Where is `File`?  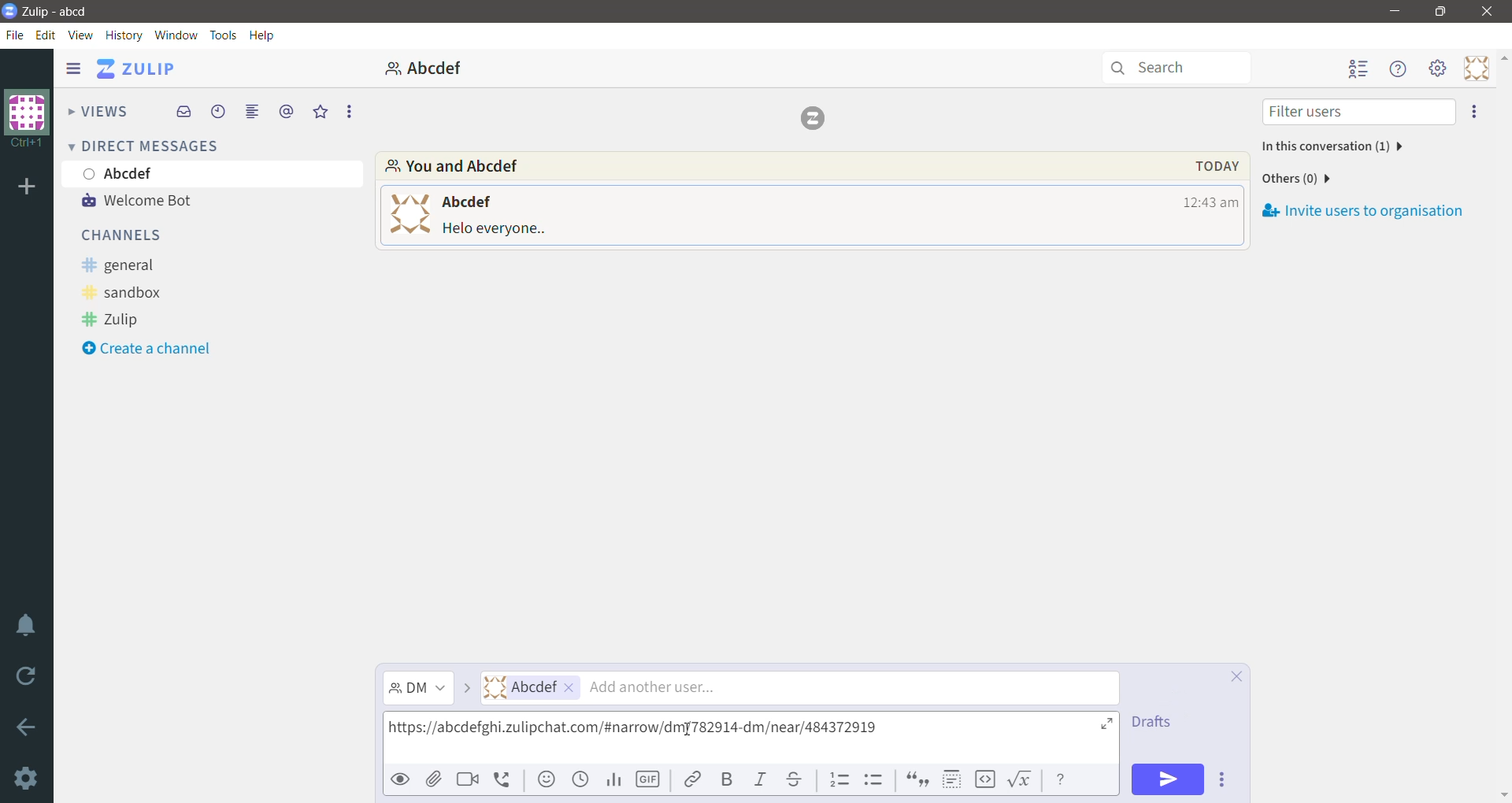 File is located at coordinates (15, 36).